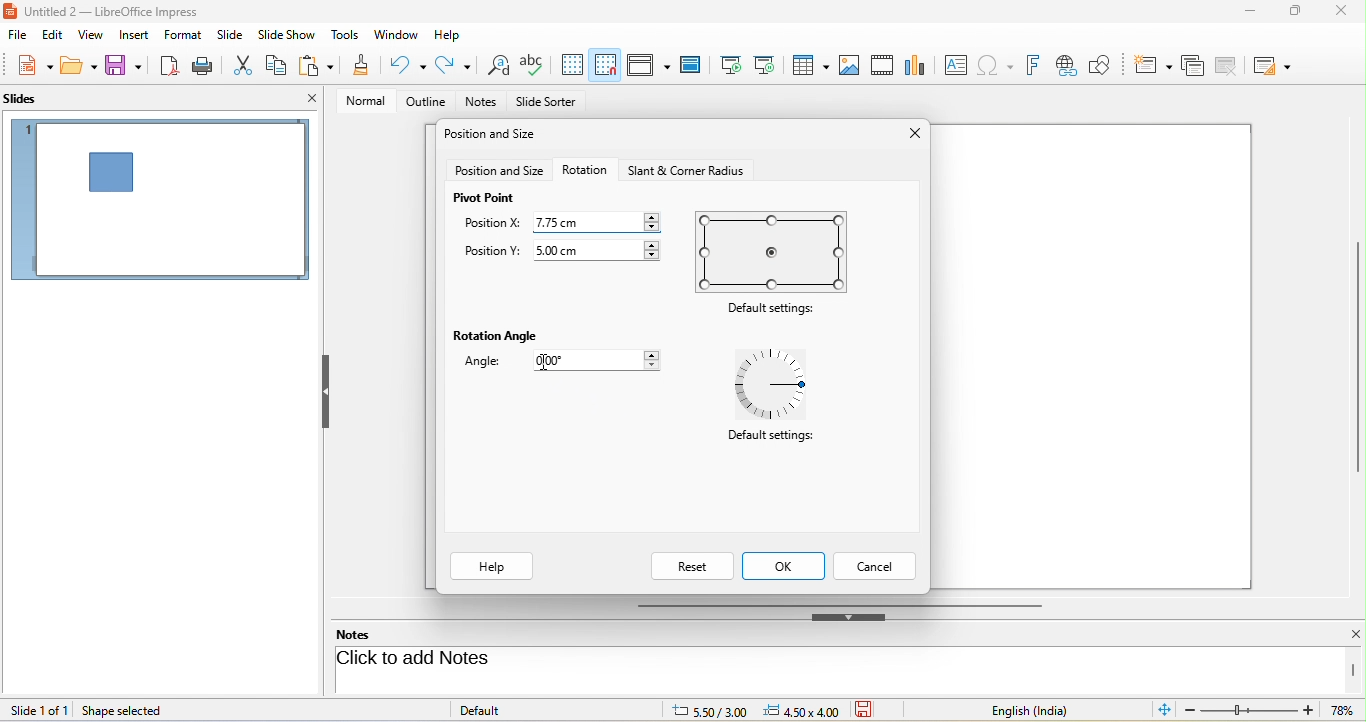 The image size is (1366, 722). What do you see at coordinates (885, 67) in the screenshot?
I see `audio or video` at bounding box center [885, 67].